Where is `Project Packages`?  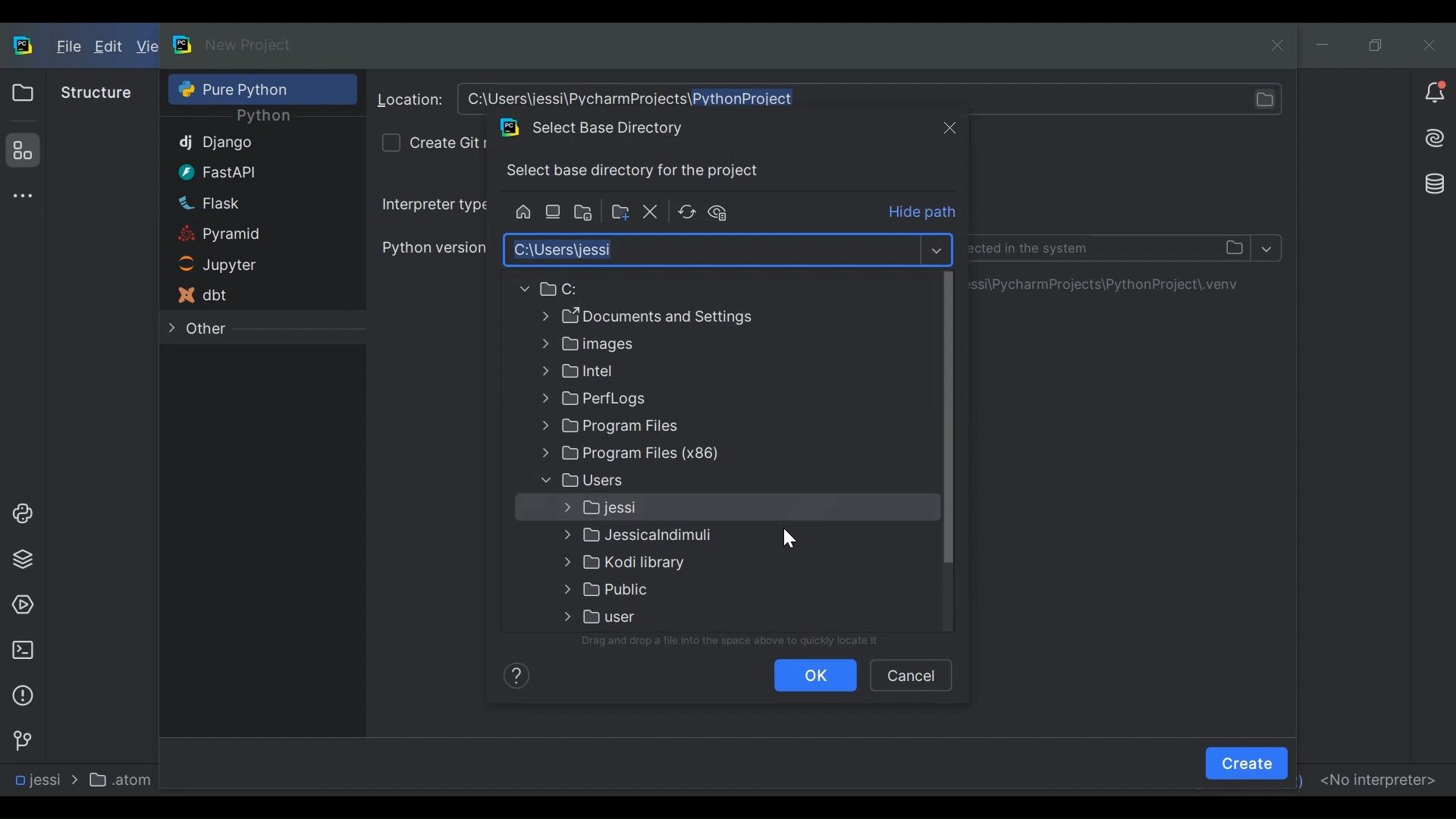 Project Packages is located at coordinates (20, 560).